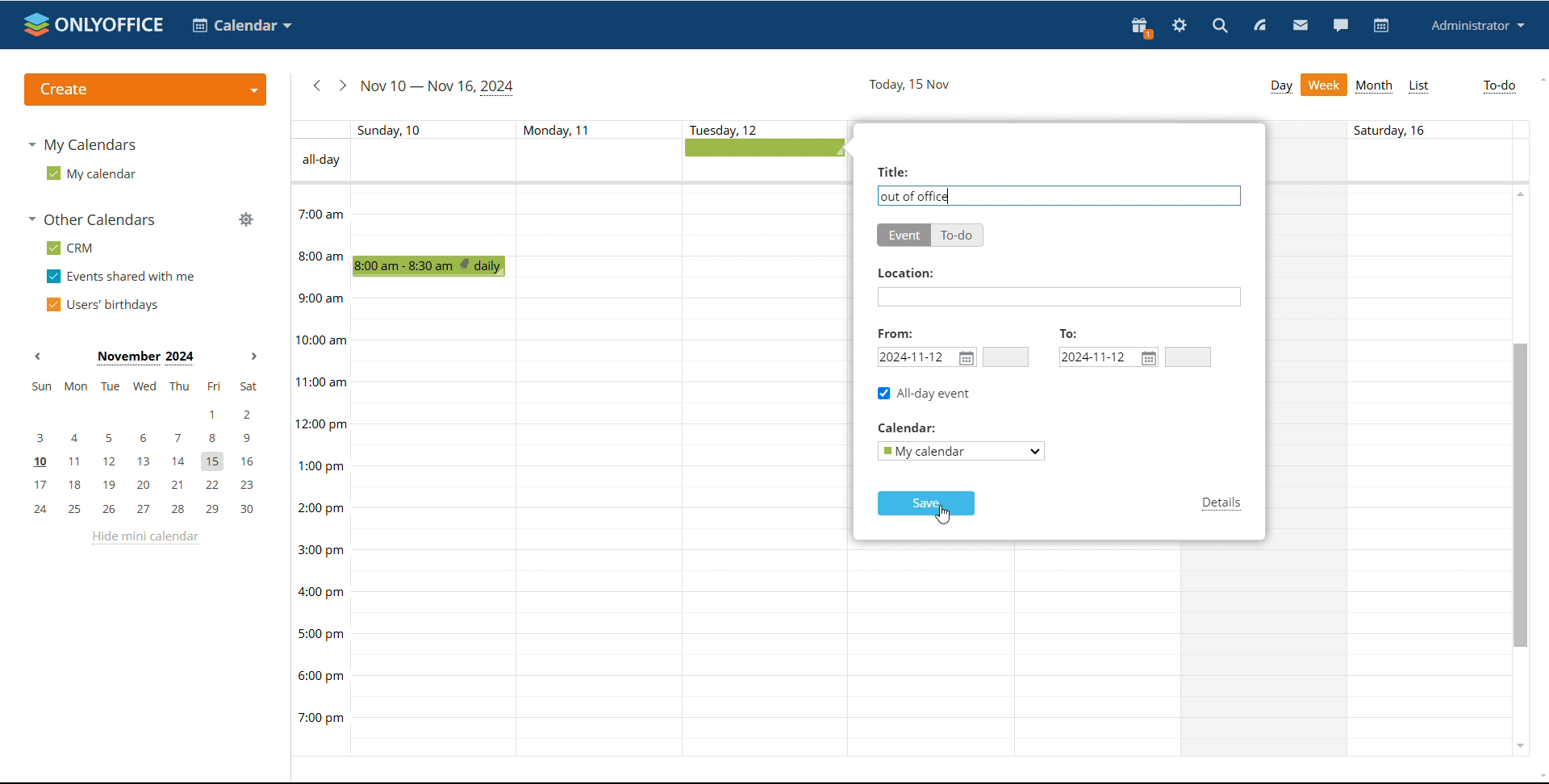 The height and width of the screenshot is (784, 1549). I want to click on current month, so click(145, 358).